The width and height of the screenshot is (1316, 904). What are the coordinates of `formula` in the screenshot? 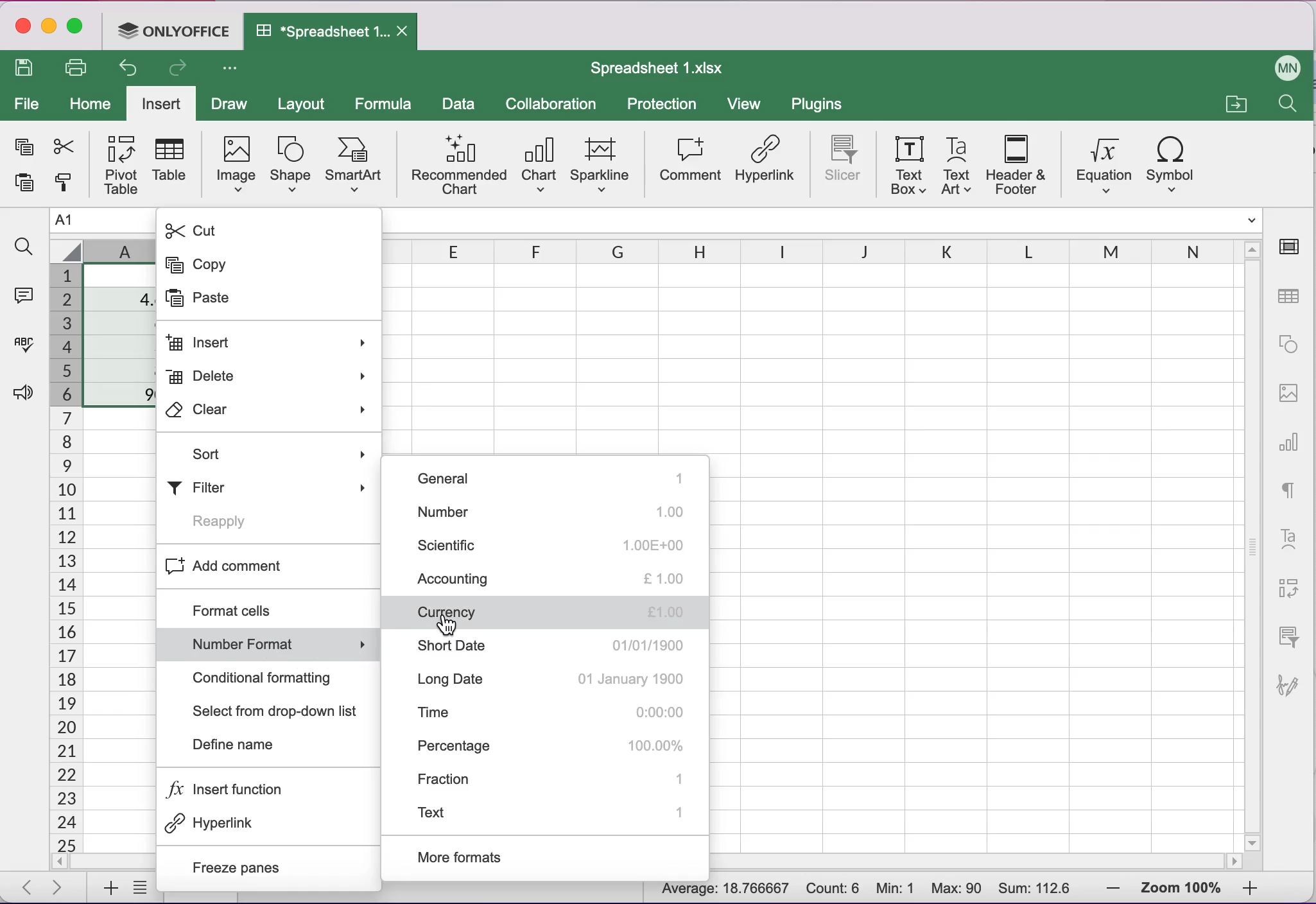 It's located at (387, 102).